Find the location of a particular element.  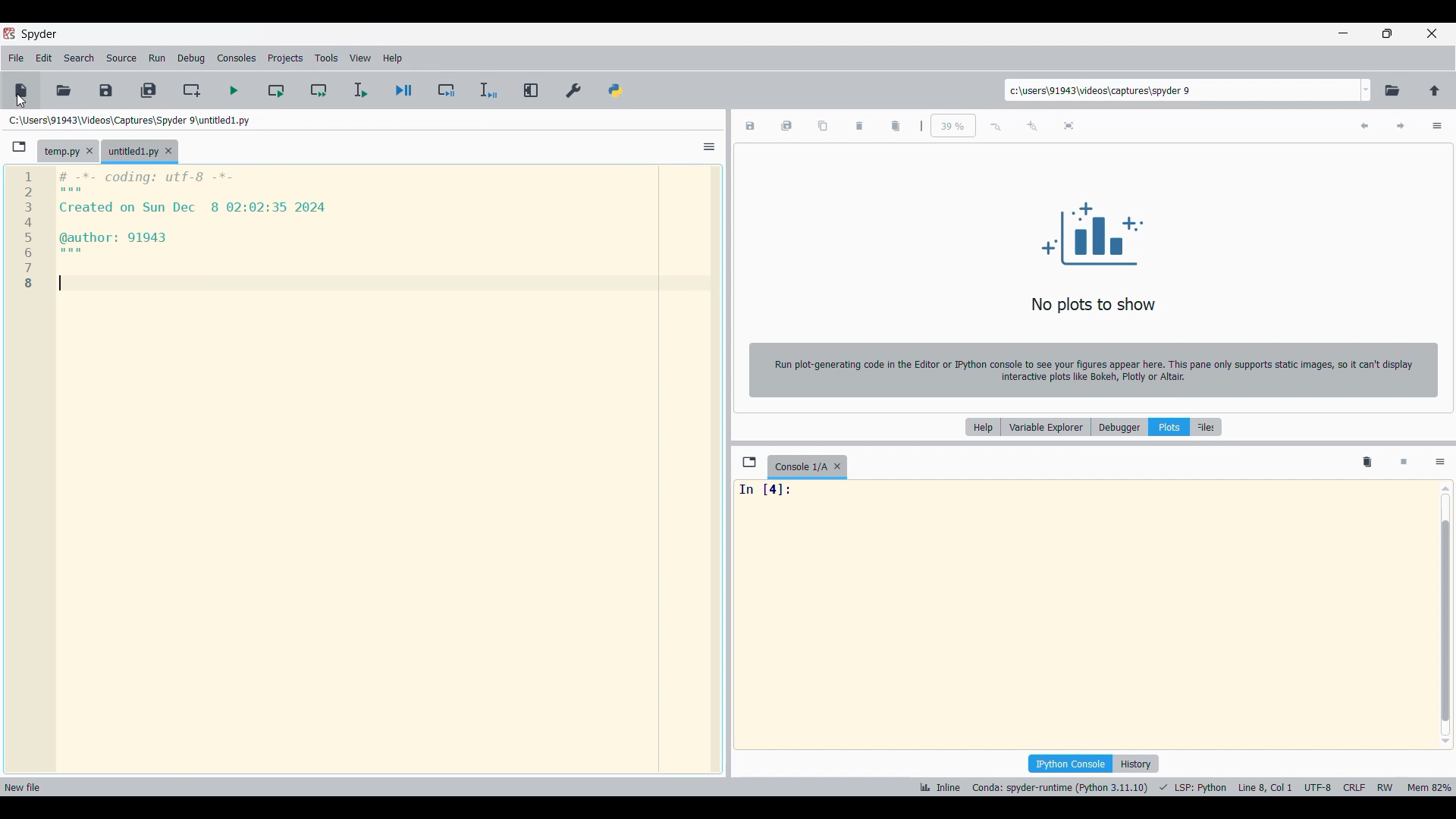

# -*- coding: utf-8 -*-
Created on Sun Dec 8 02:02:35 2024
@author: 91943 is located at coordinates (381, 231).